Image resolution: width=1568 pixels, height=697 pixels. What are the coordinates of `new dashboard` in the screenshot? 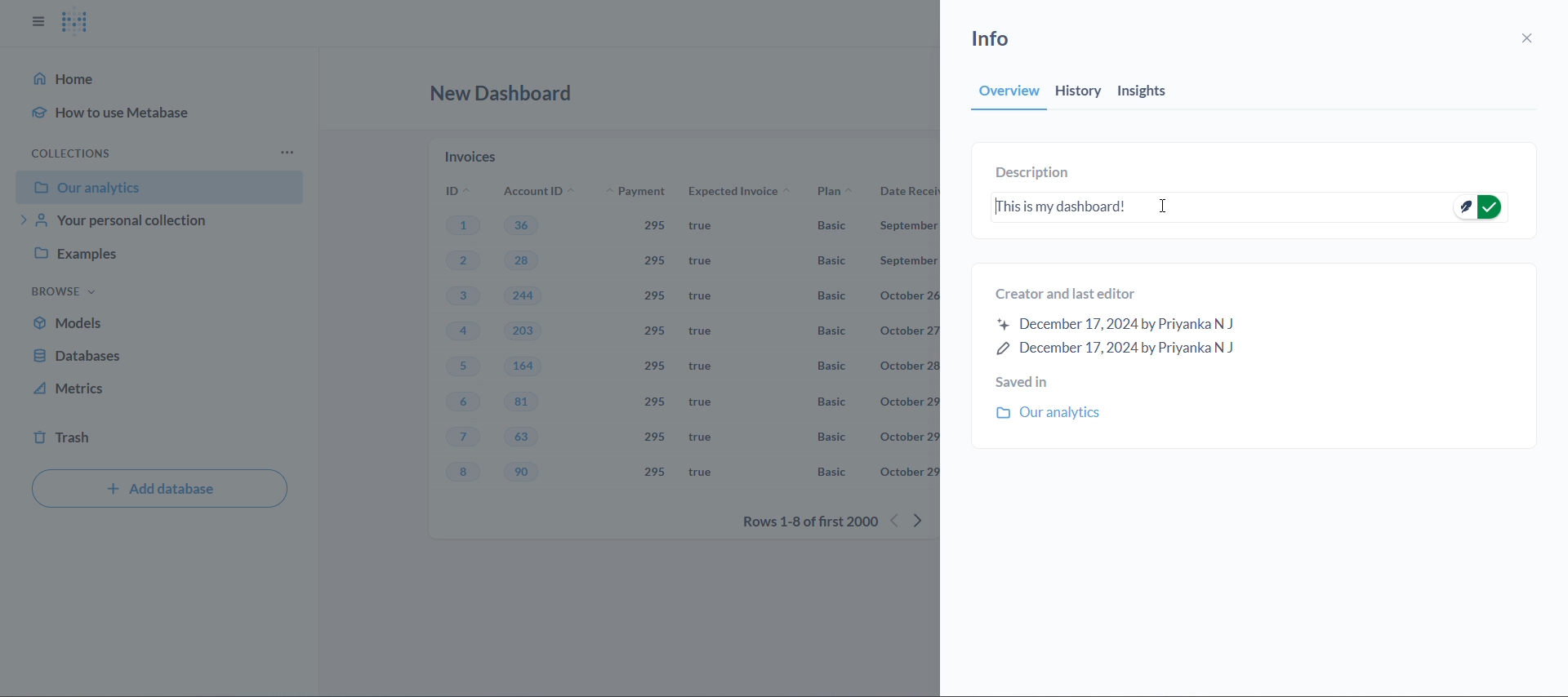 It's located at (506, 98).